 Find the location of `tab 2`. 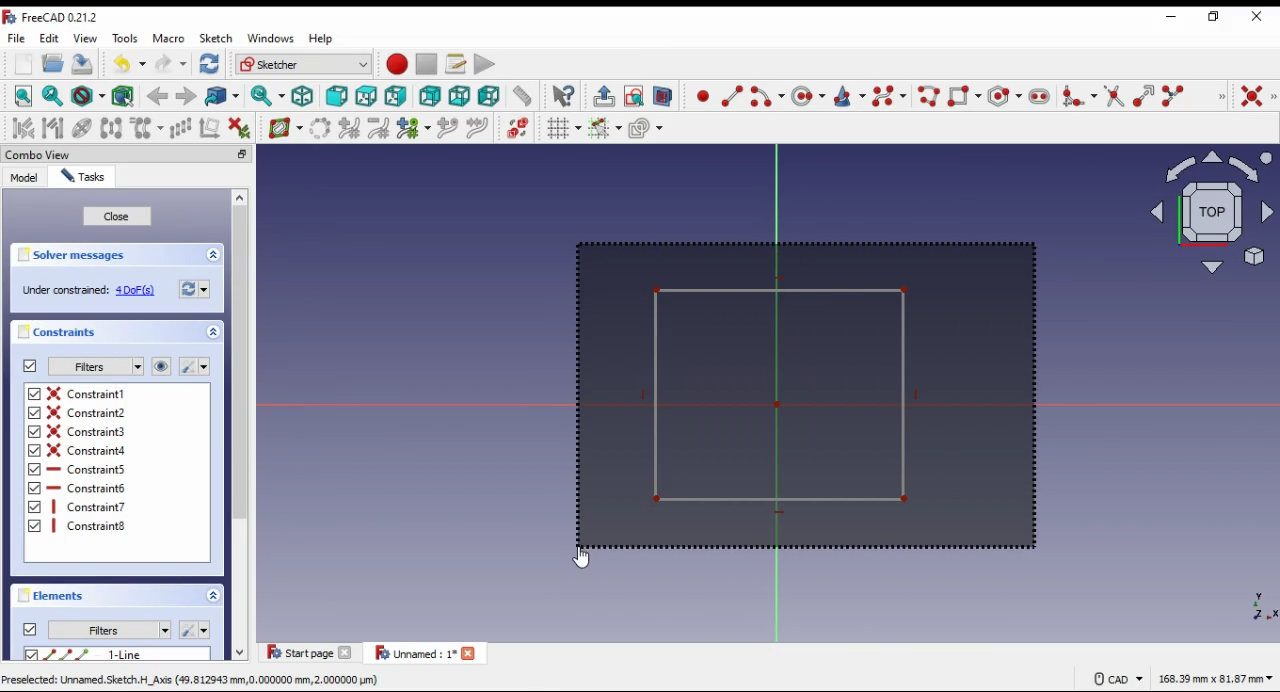

tab 2 is located at coordinates (426, 653).